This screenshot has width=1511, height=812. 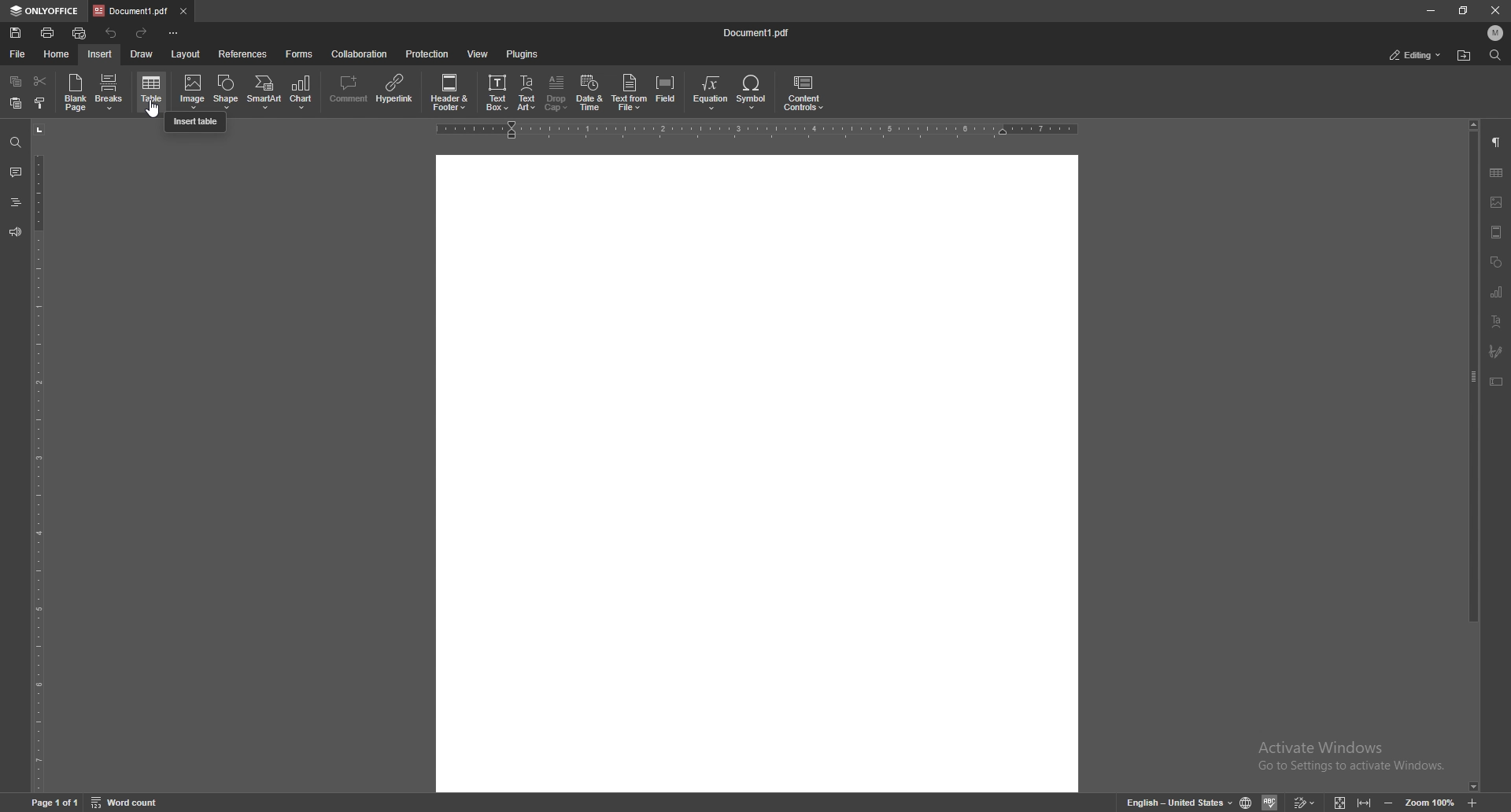 What do you see at coordinates (142, 54) in the screenshot?
I see `draw` at bounding box center [142, 54].